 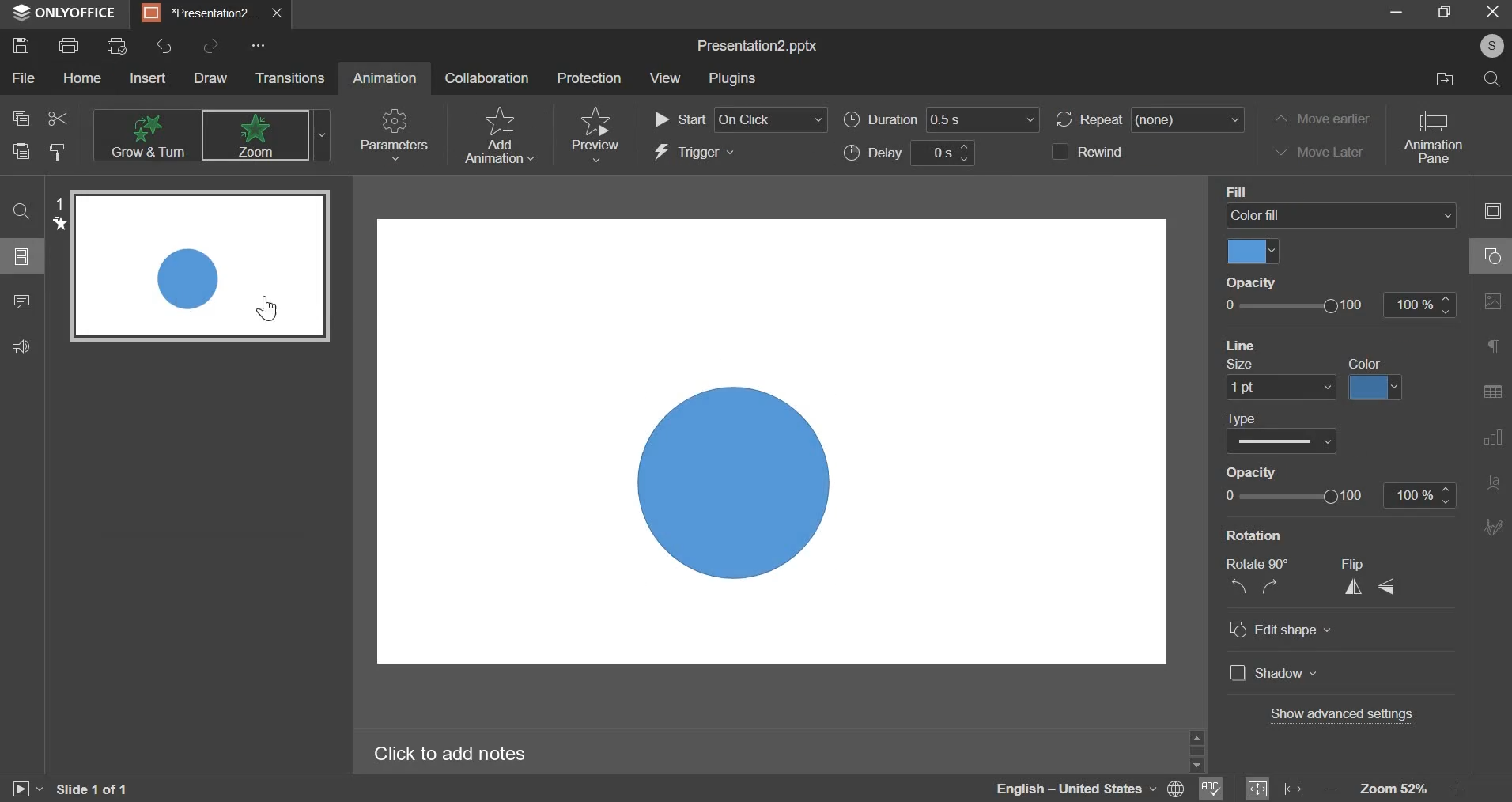 I want to click on repeat, so click(x=1149, y=119).